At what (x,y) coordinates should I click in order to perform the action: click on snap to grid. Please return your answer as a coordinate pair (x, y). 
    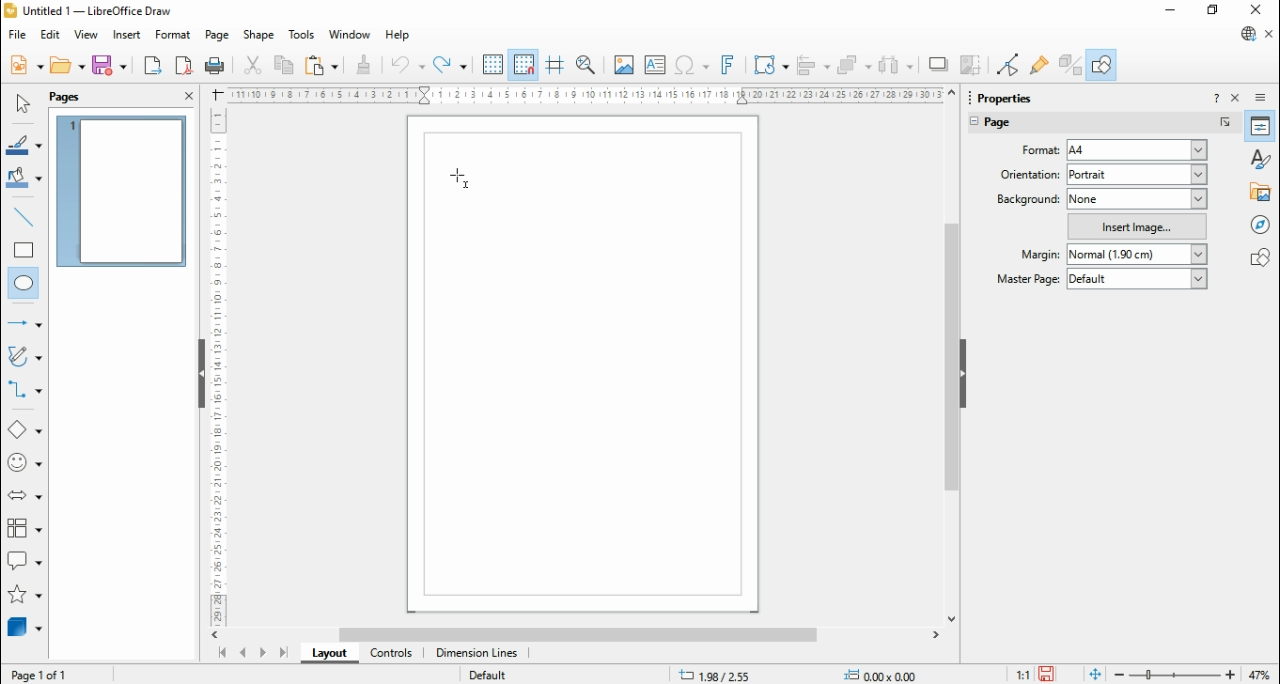
    Looking at the image, I should click on (525, 64).